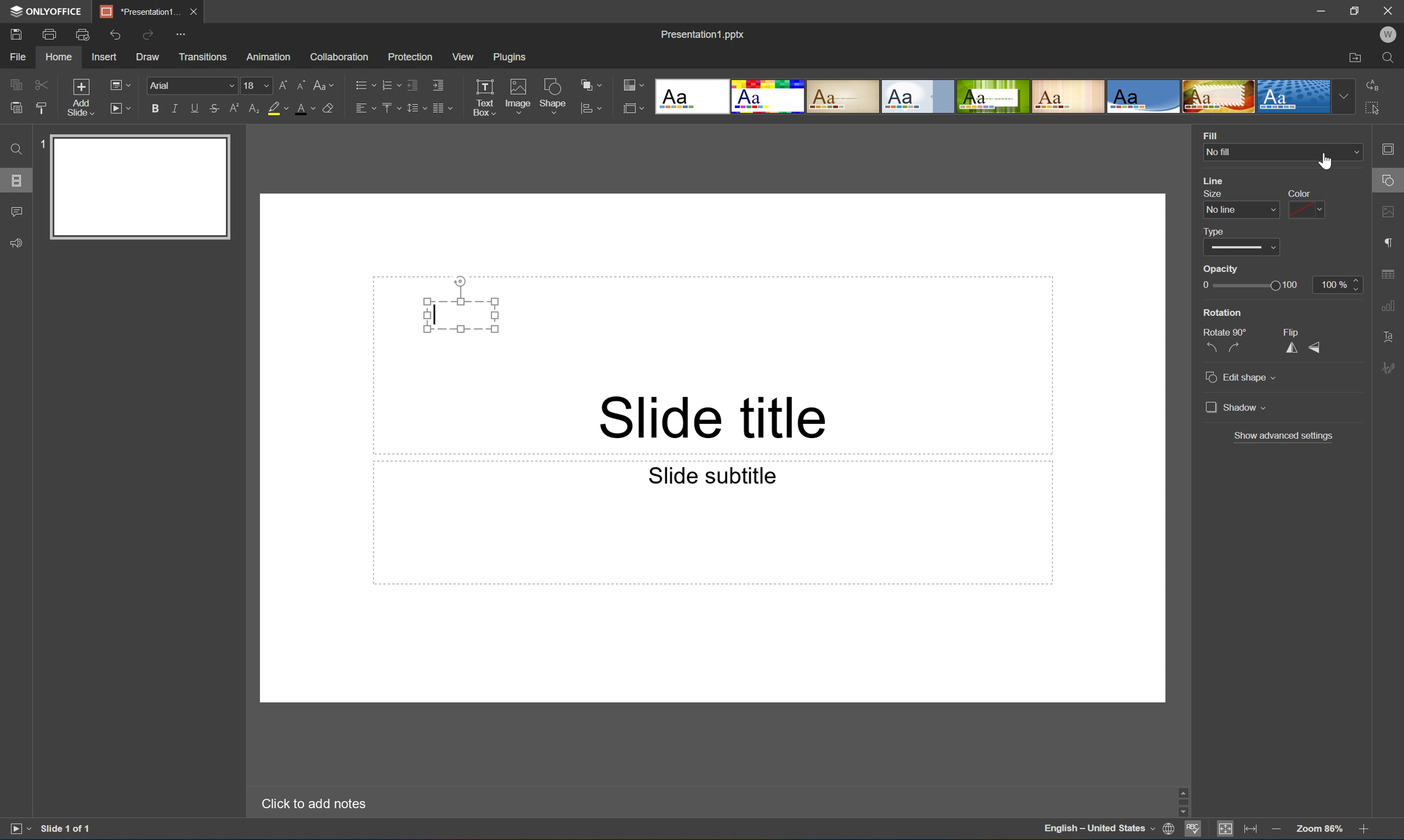 This screenshot has width=1404, height=840. I want to click on Size, so click(1210, 194).